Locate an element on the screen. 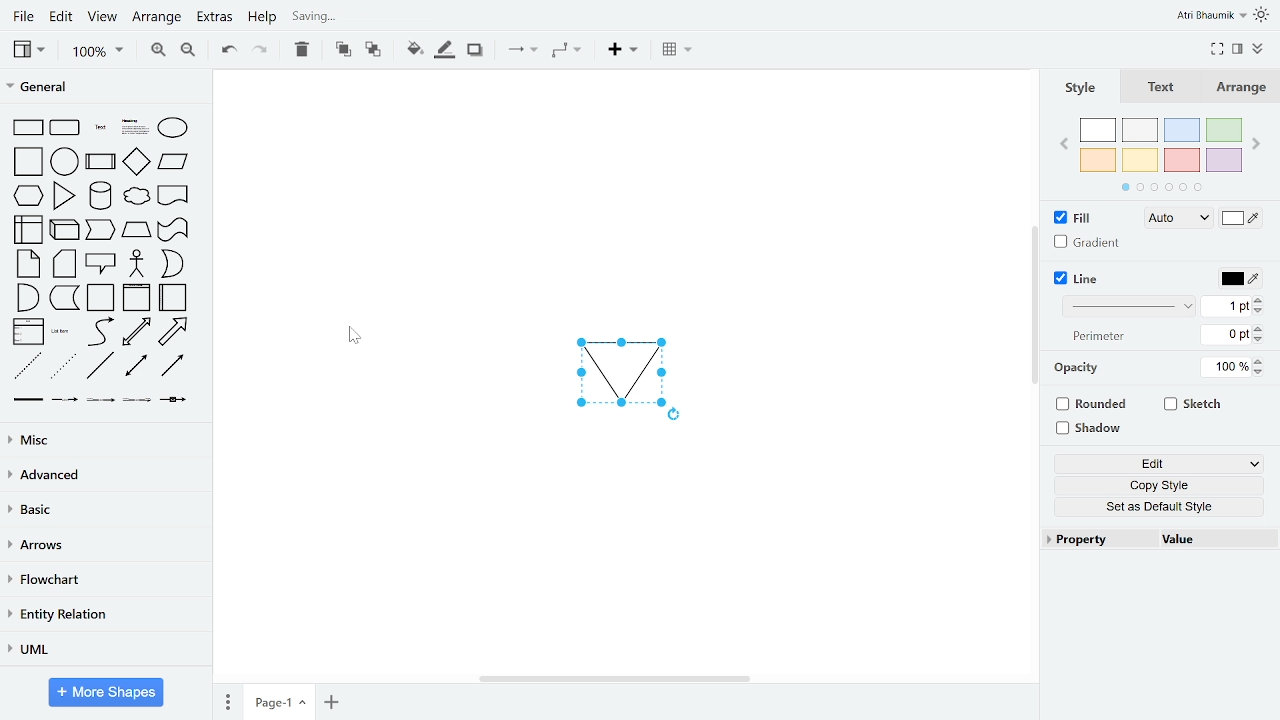 This screenshot has height=720, width=1280. appearence is located at coordinates (1263, 15).